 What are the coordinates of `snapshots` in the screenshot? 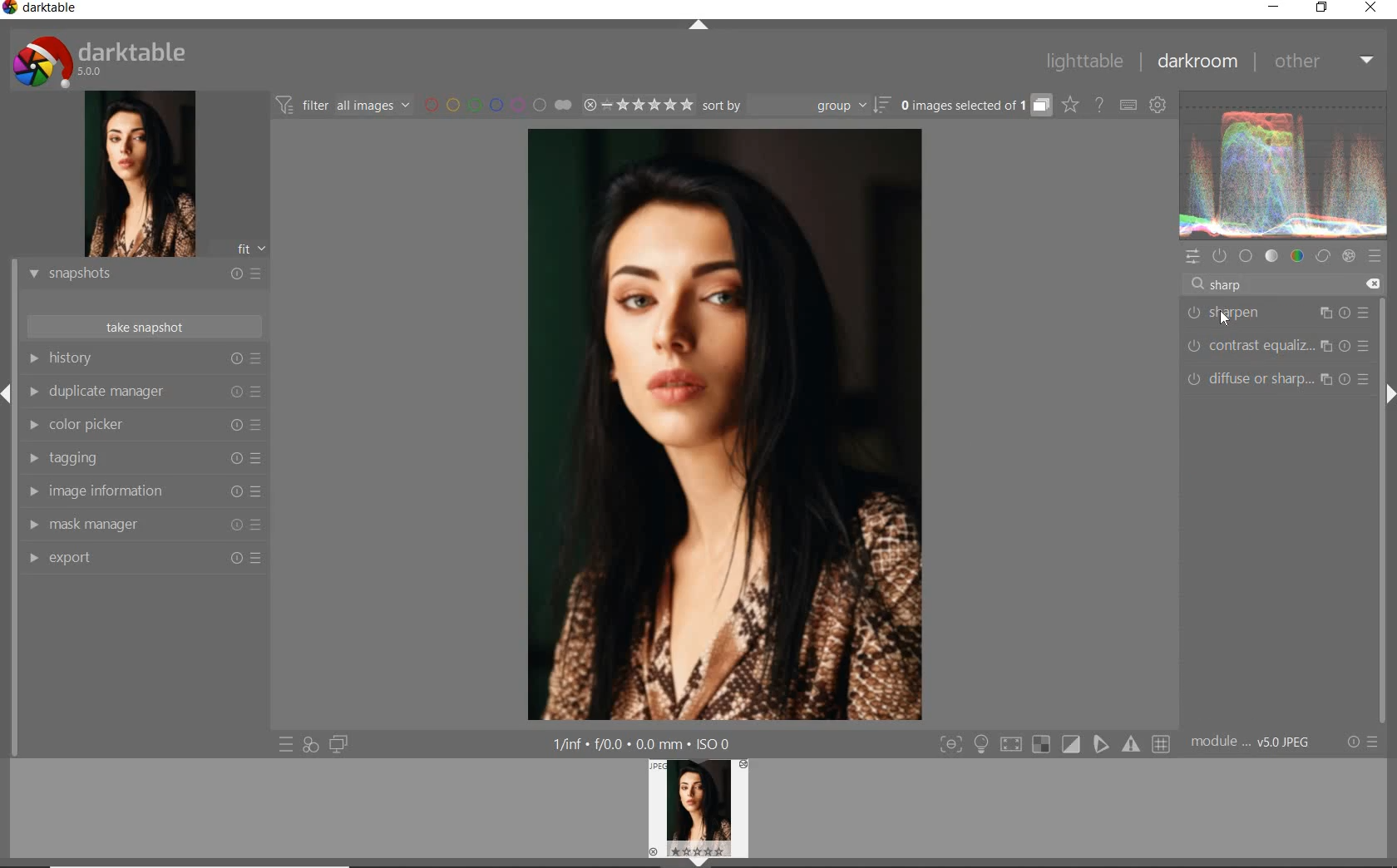 It's located at (142, 274).